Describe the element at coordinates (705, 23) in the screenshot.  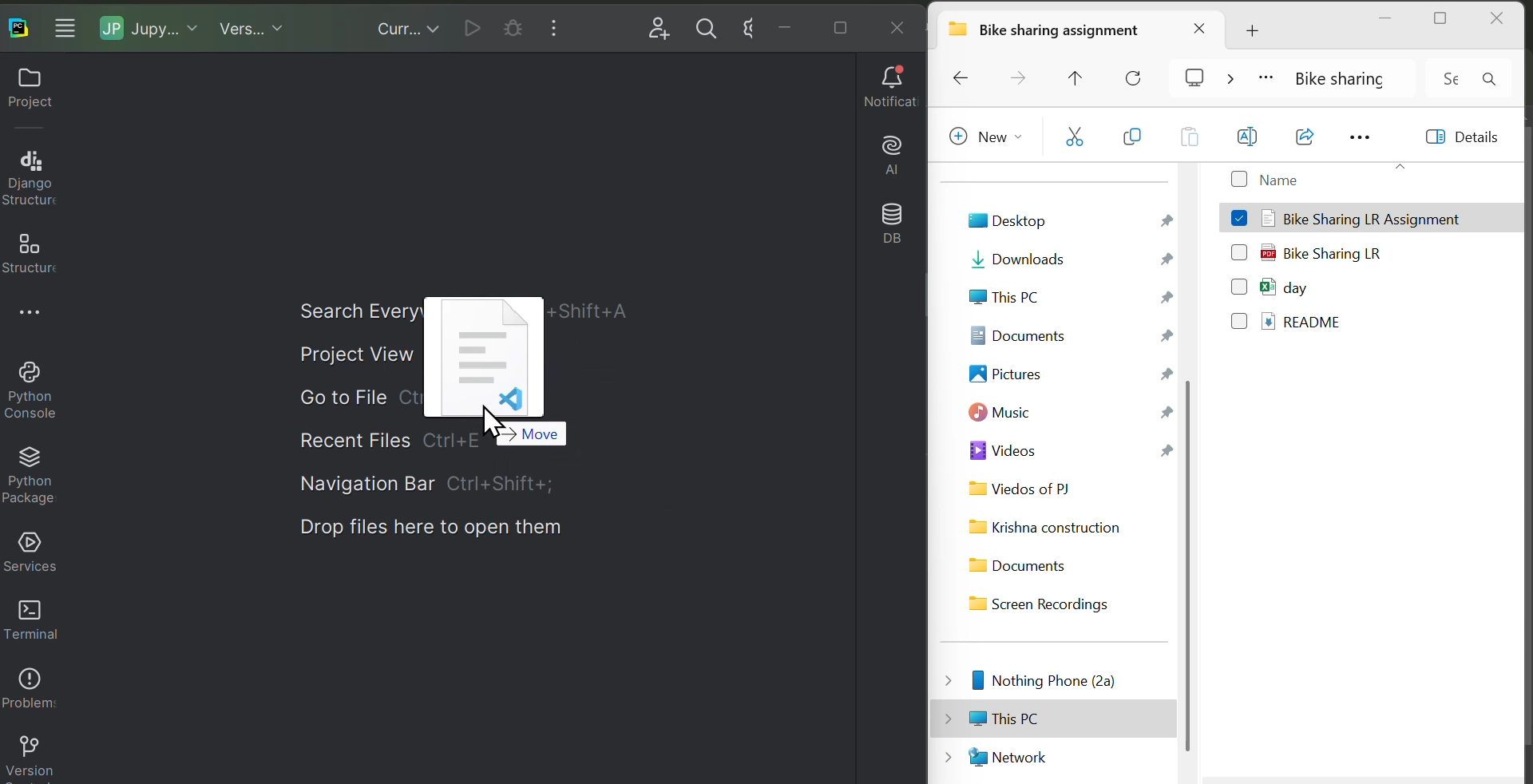
I see `search` at that location.